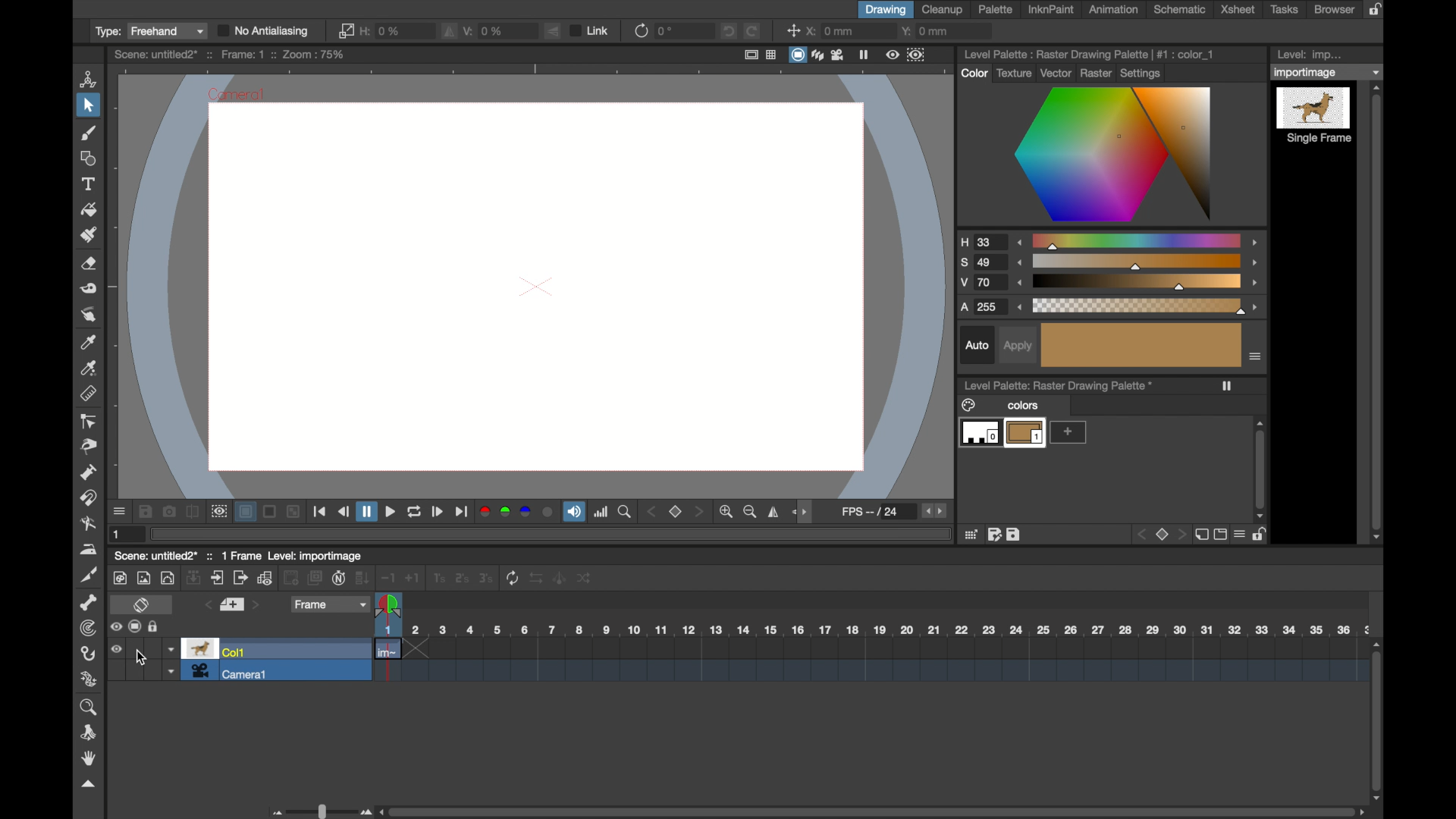 This screenshot has width=1456, height=819. What do you see at coordinates (1053, 72) in the screenshot?
I see `vector` at bounding box center [1053, 72].